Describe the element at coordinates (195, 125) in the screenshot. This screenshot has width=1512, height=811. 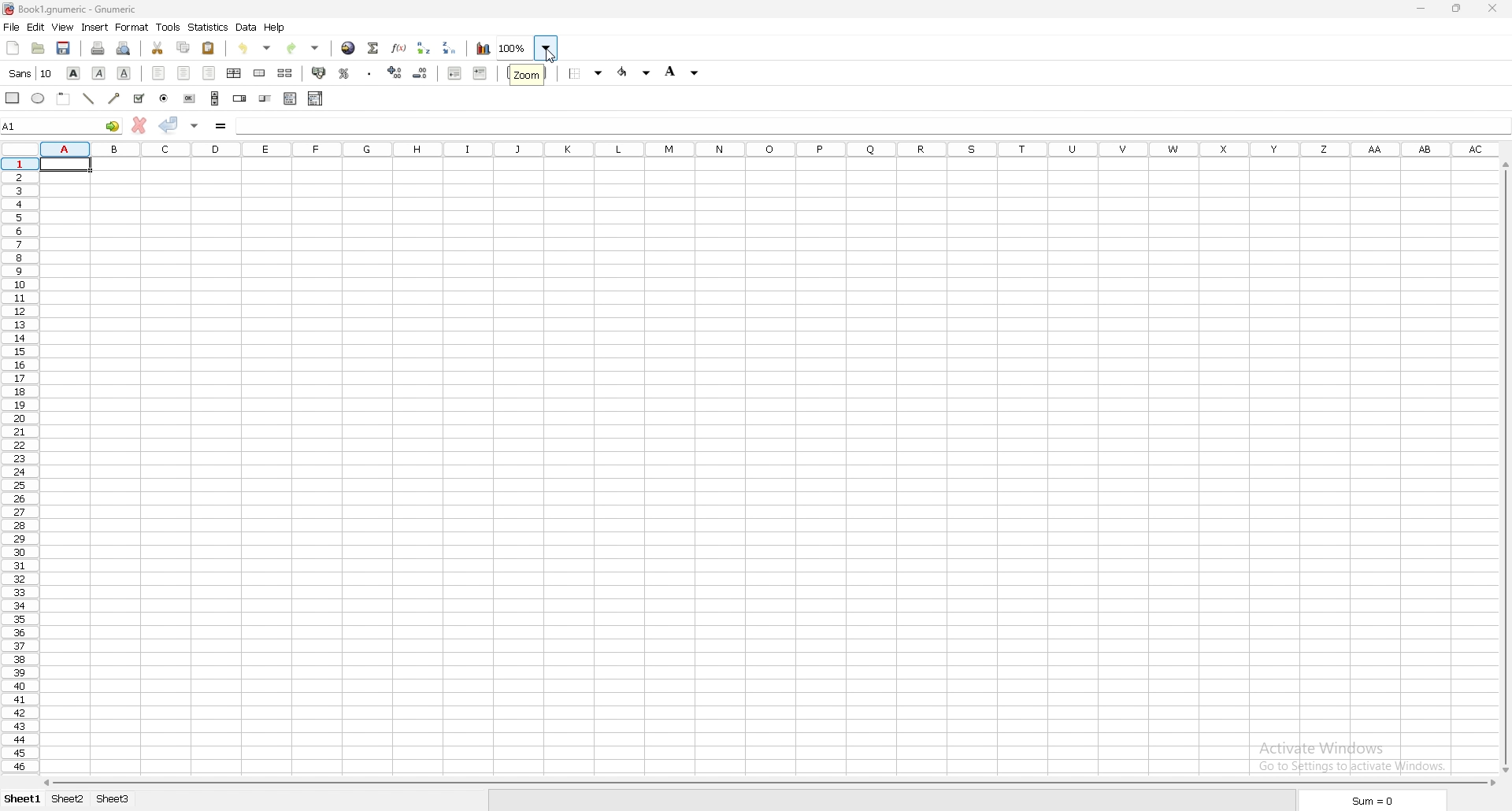
I see `accept changes in multiple cells` at that location.